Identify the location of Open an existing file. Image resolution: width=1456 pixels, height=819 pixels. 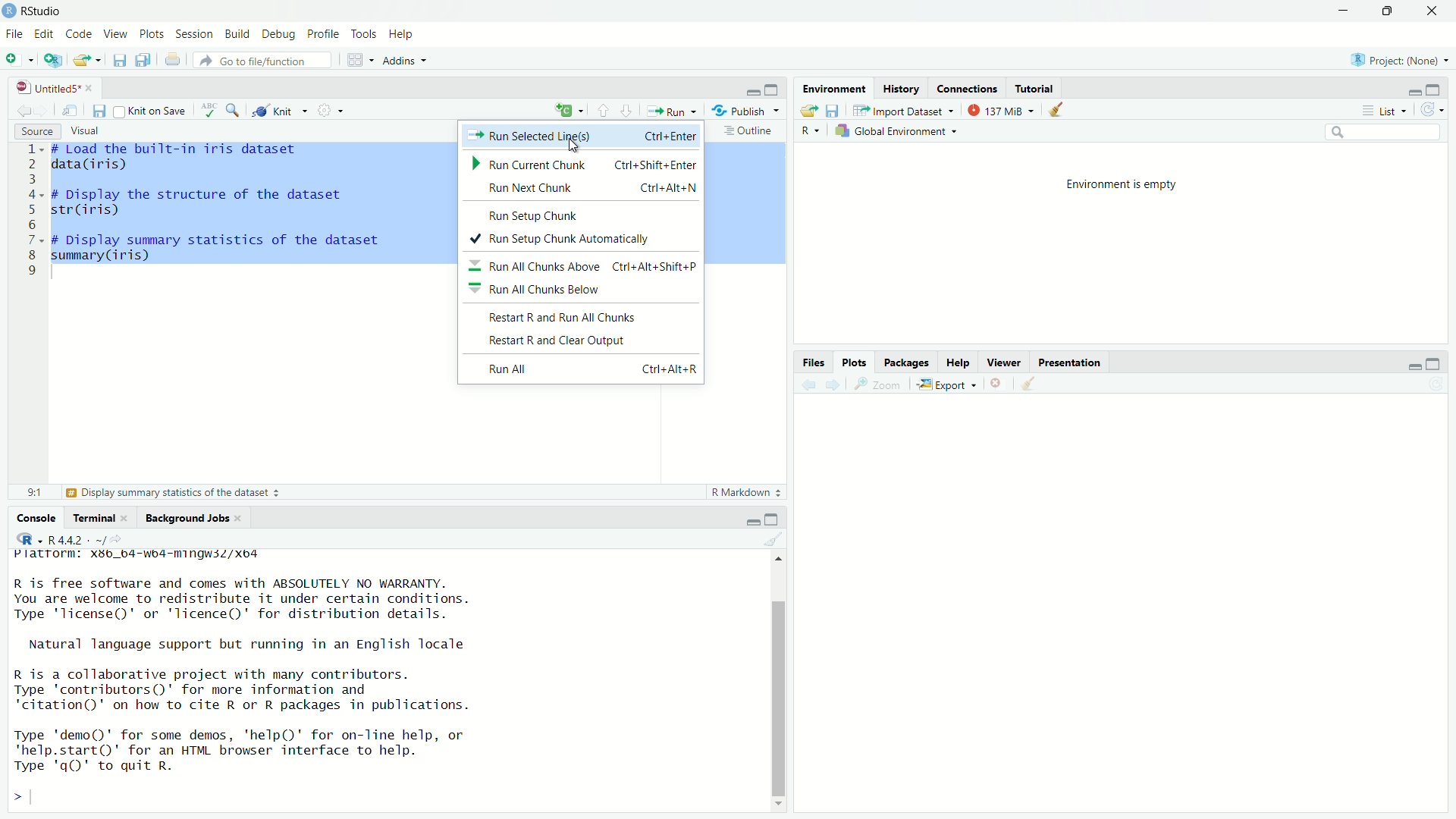
(87, 61).